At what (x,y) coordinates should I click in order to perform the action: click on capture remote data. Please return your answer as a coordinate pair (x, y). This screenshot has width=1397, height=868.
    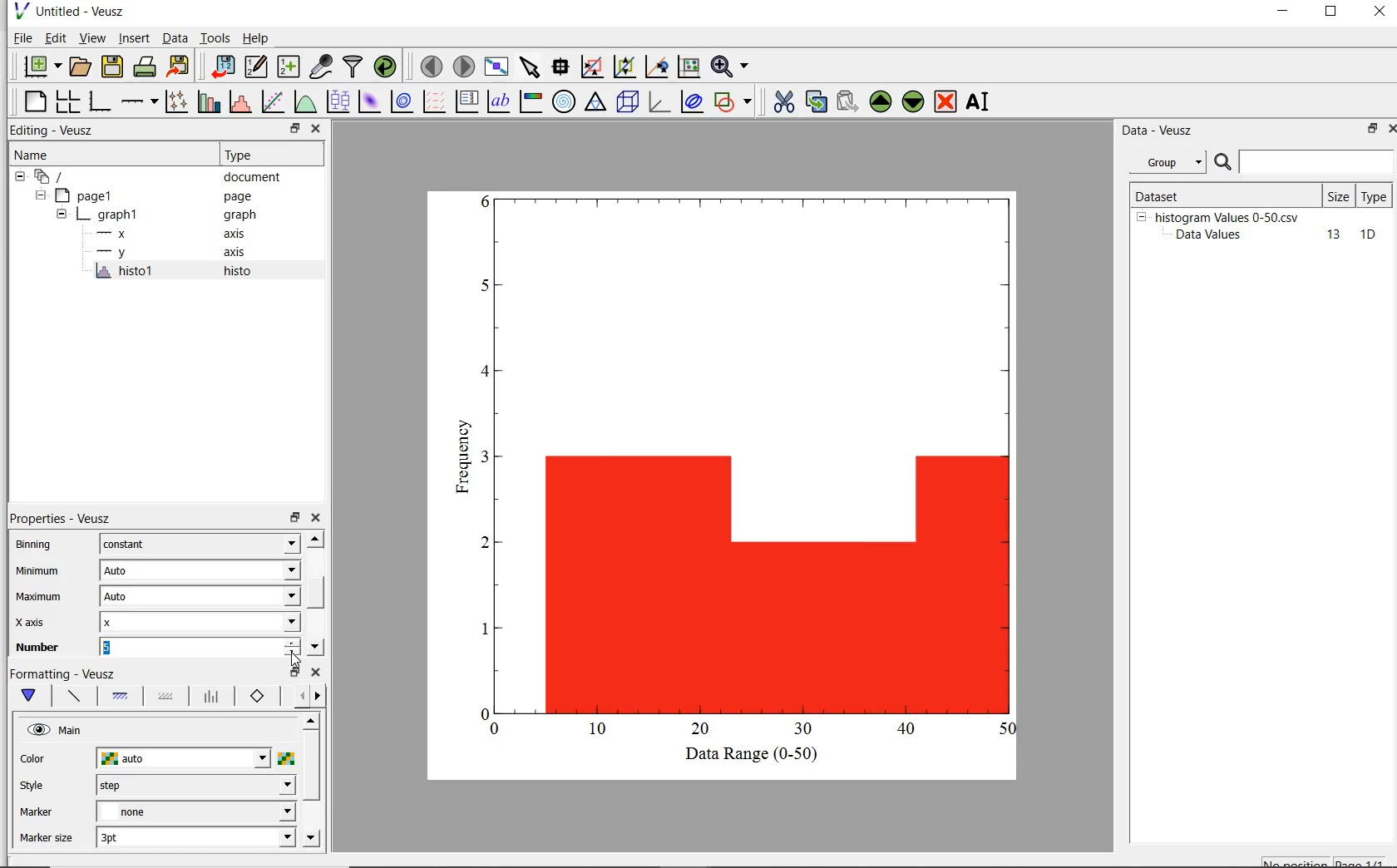
    Looking at the image, I should click on (321, 67).